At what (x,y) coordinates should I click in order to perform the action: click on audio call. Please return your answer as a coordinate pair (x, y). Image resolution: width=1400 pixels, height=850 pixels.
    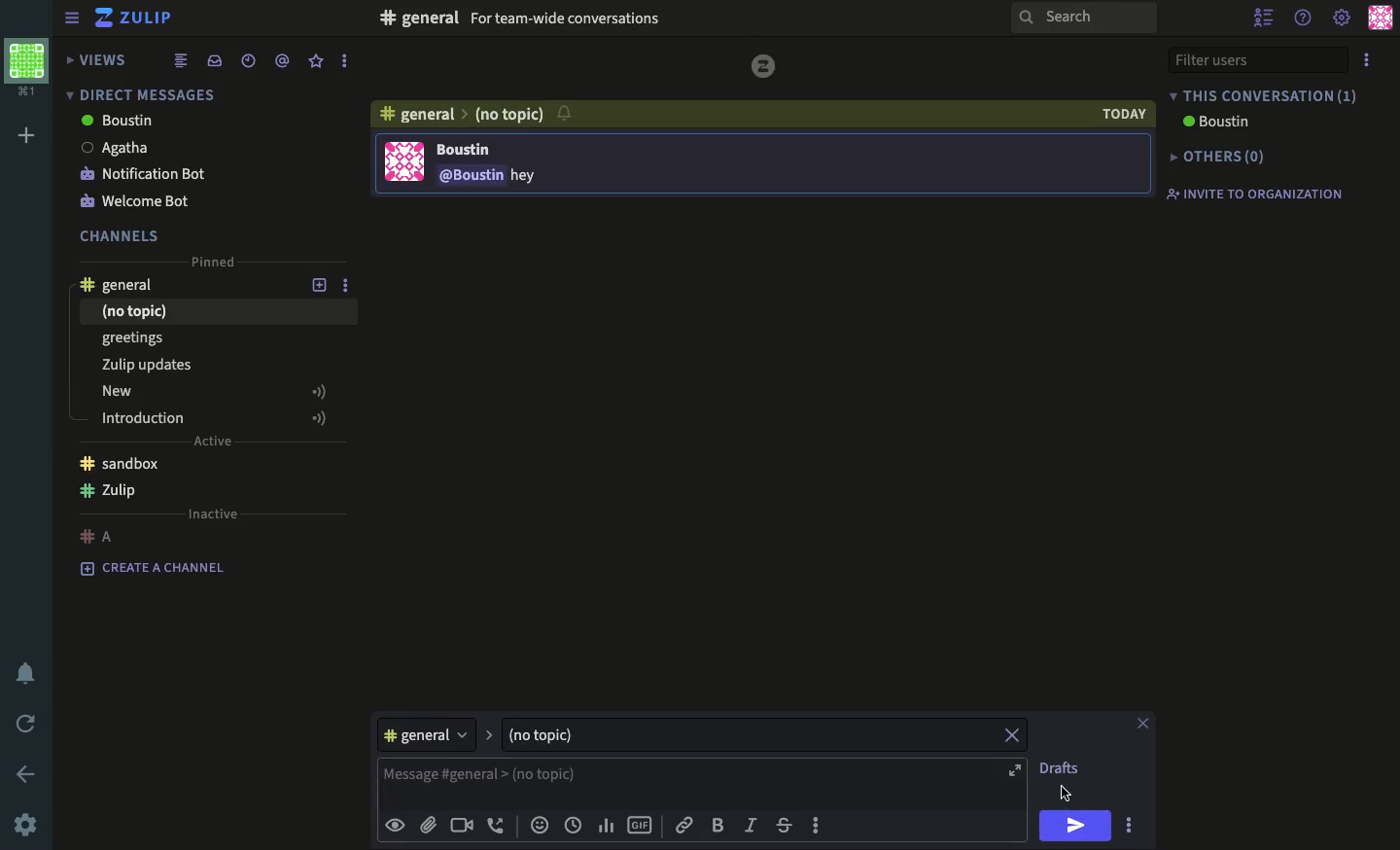
    Looking at the image, I should click on (497, 825).